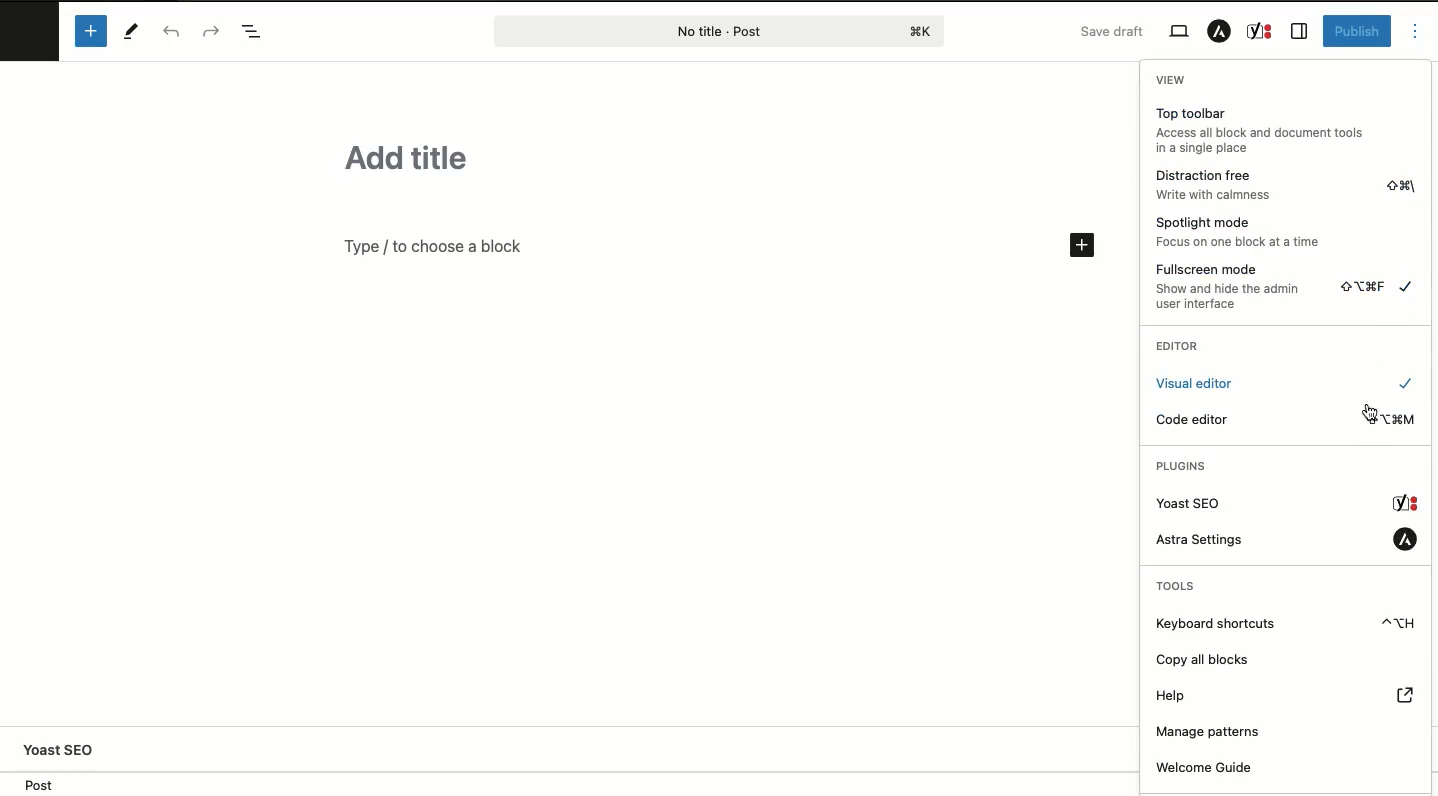  I want to click on Welcome guide, so click(1211, 768).